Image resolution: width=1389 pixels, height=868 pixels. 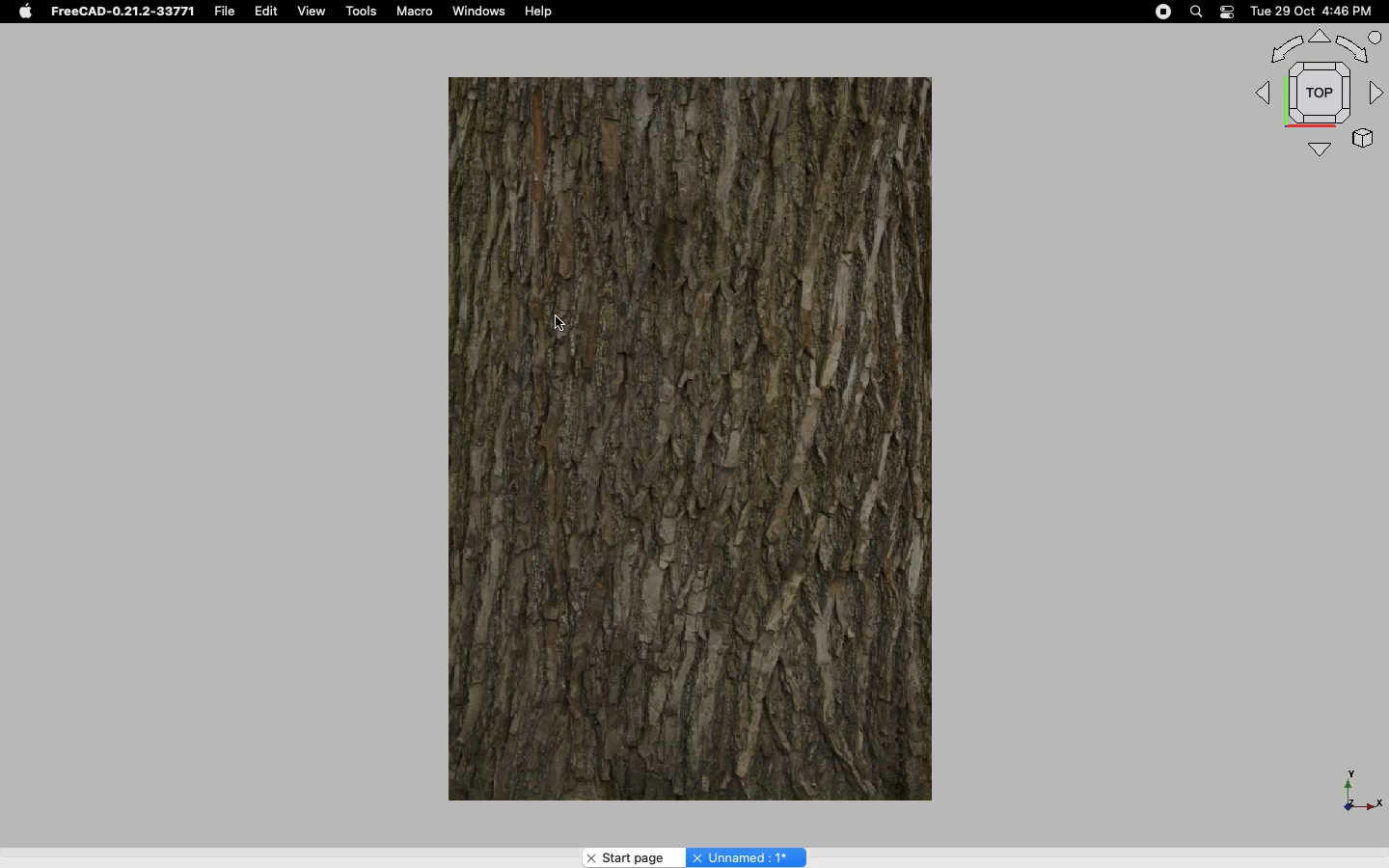 I want to click on FreeCAD-0.21.2-33771, so click(x=120, y=10).